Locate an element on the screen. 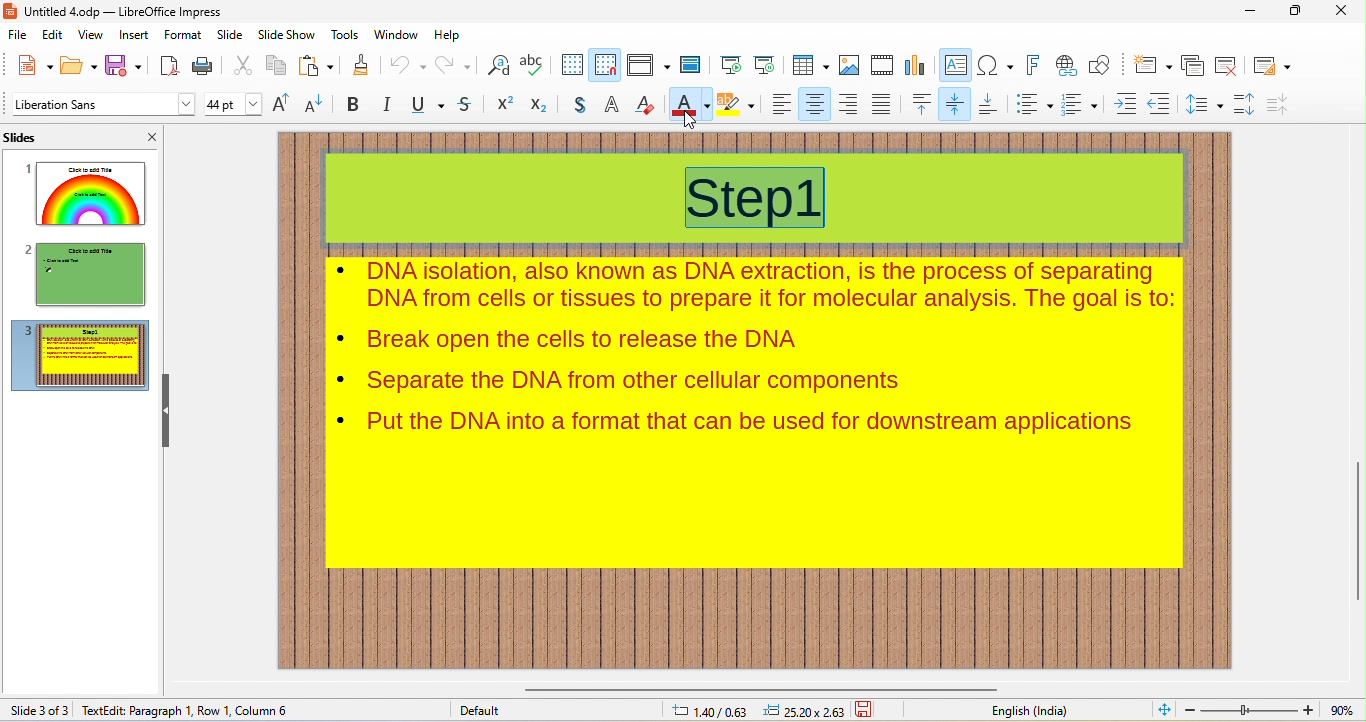 This screenshot has width=1366, height=722. table is located at coordinates (807, 64).